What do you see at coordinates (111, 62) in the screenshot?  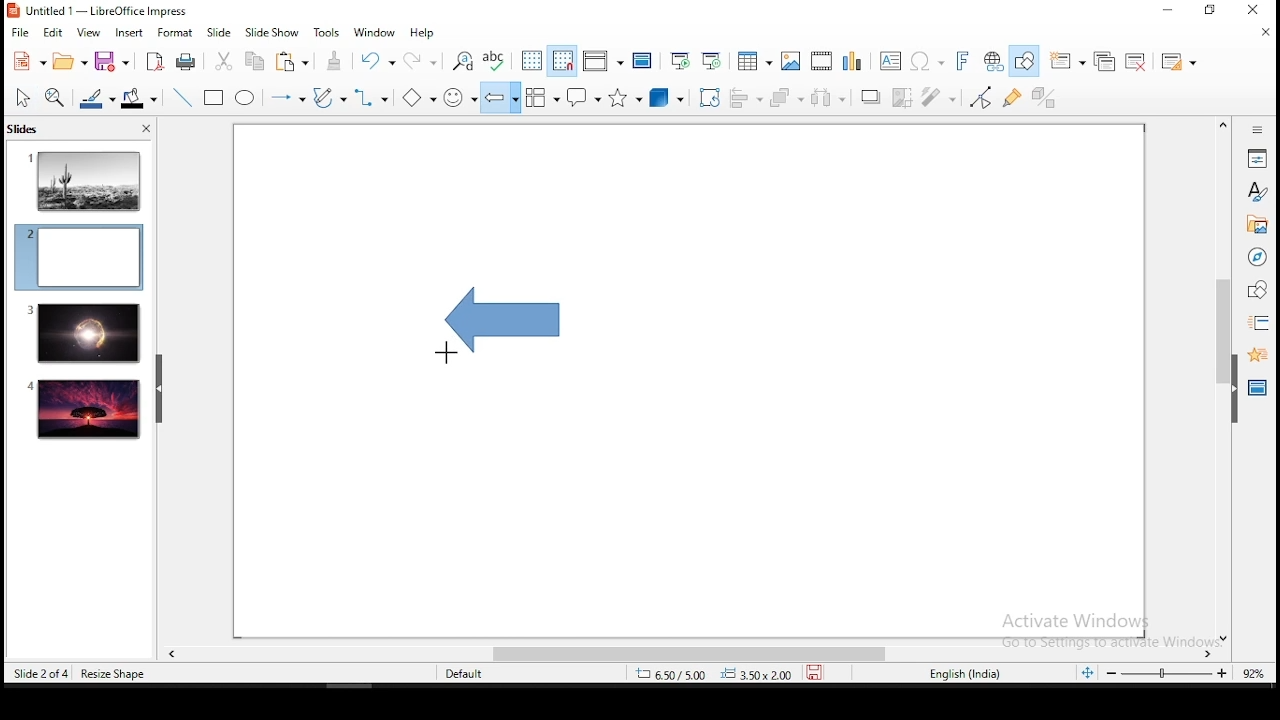 I see `save` at bounding box center [111, 62].